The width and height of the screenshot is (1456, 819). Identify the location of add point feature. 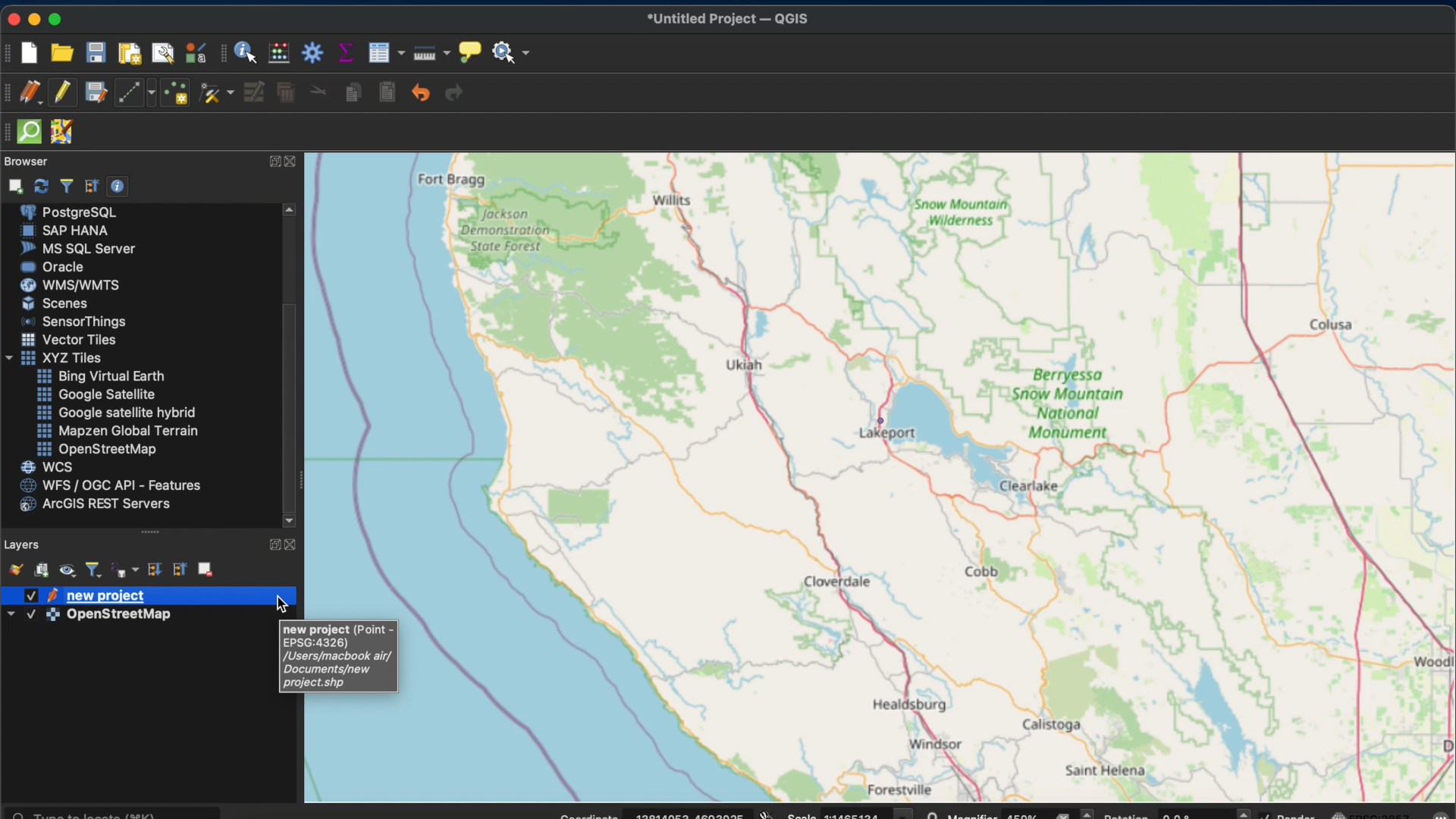
(177, 93).